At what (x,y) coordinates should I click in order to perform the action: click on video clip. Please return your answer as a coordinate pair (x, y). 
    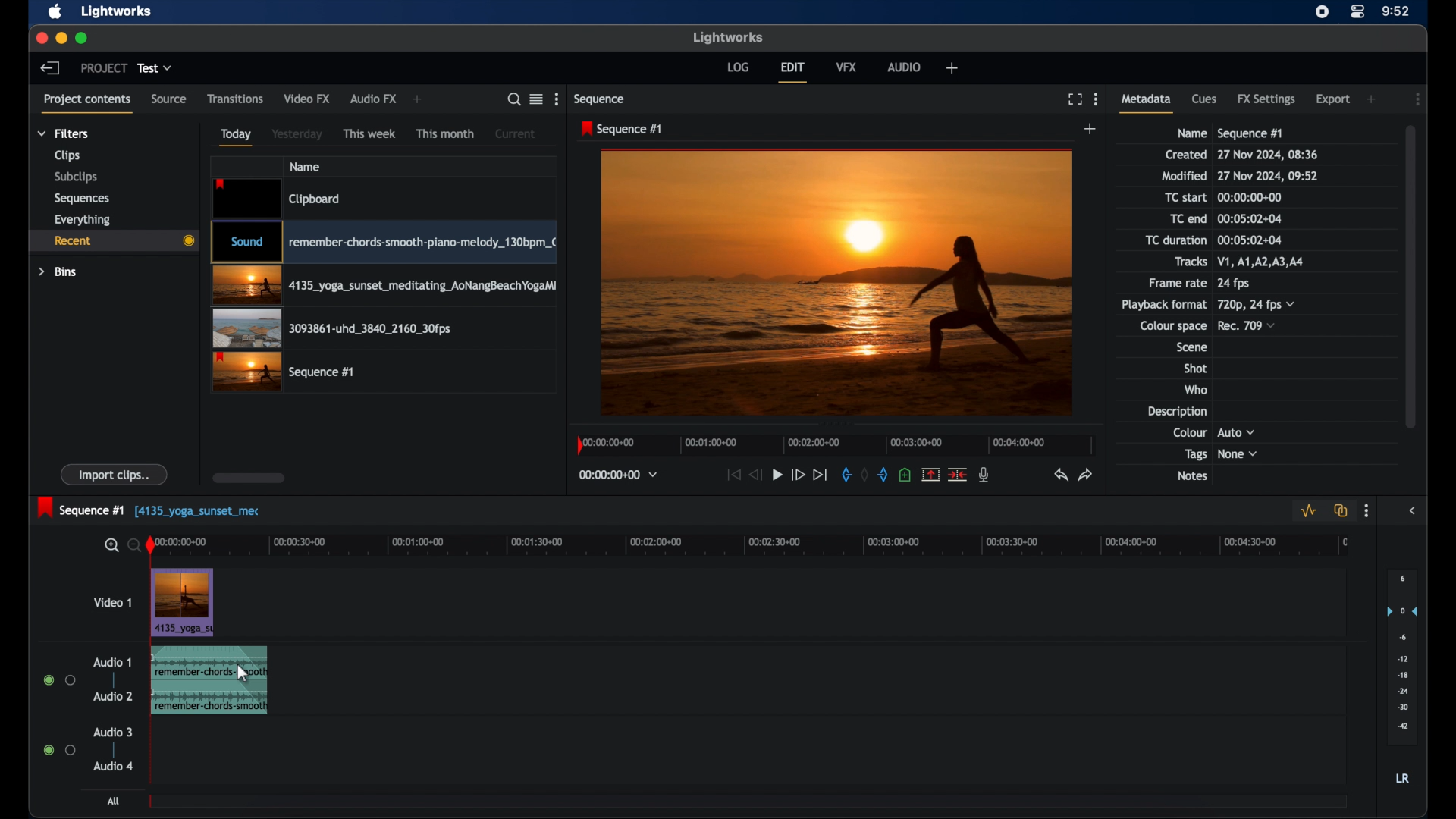
    Looking at the image, I should click on (283, 372).